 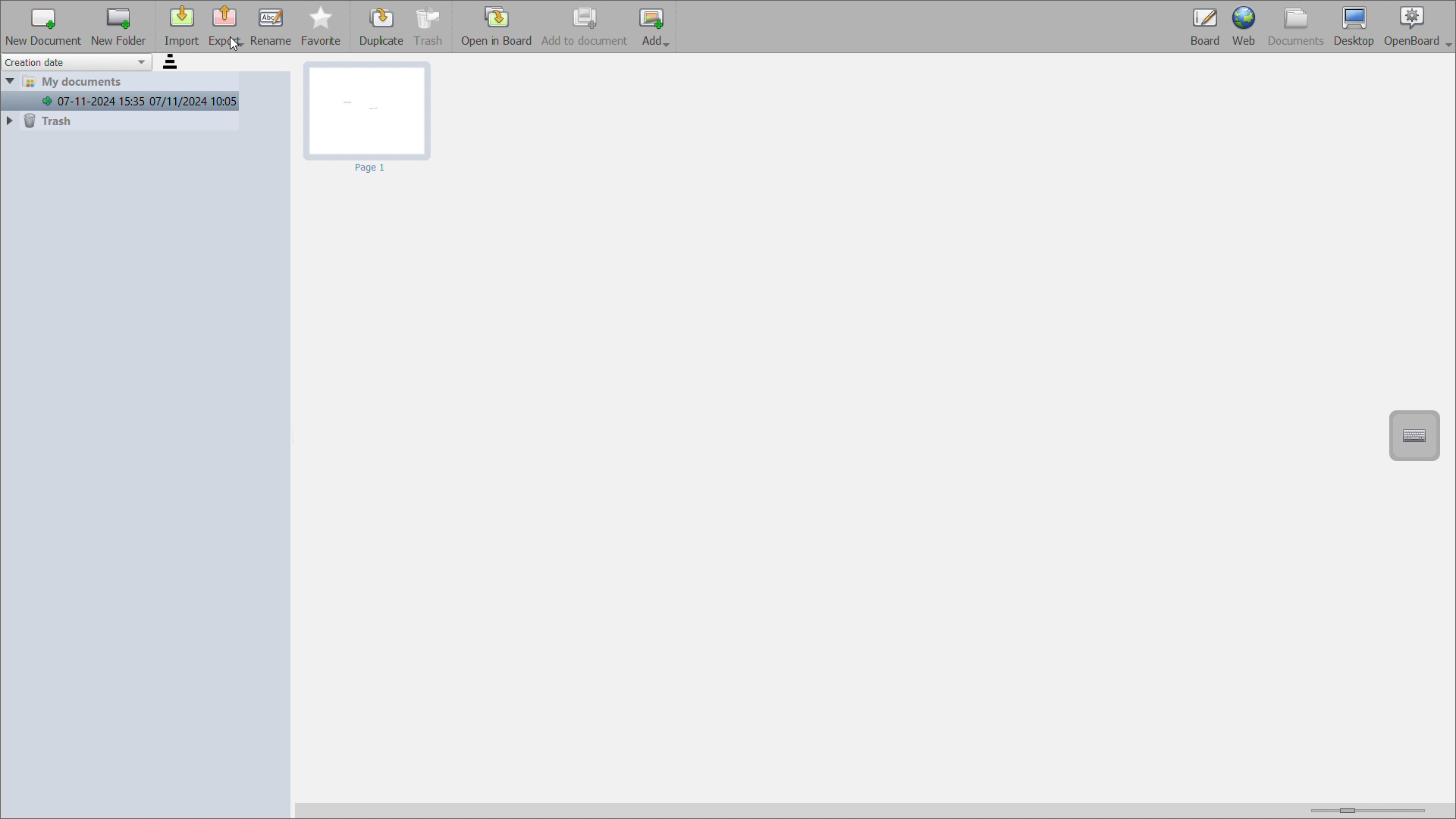 What do you see at coordinates (1244, 27) in the screenshot?
I see `web` at bounding box center [1244, 27].